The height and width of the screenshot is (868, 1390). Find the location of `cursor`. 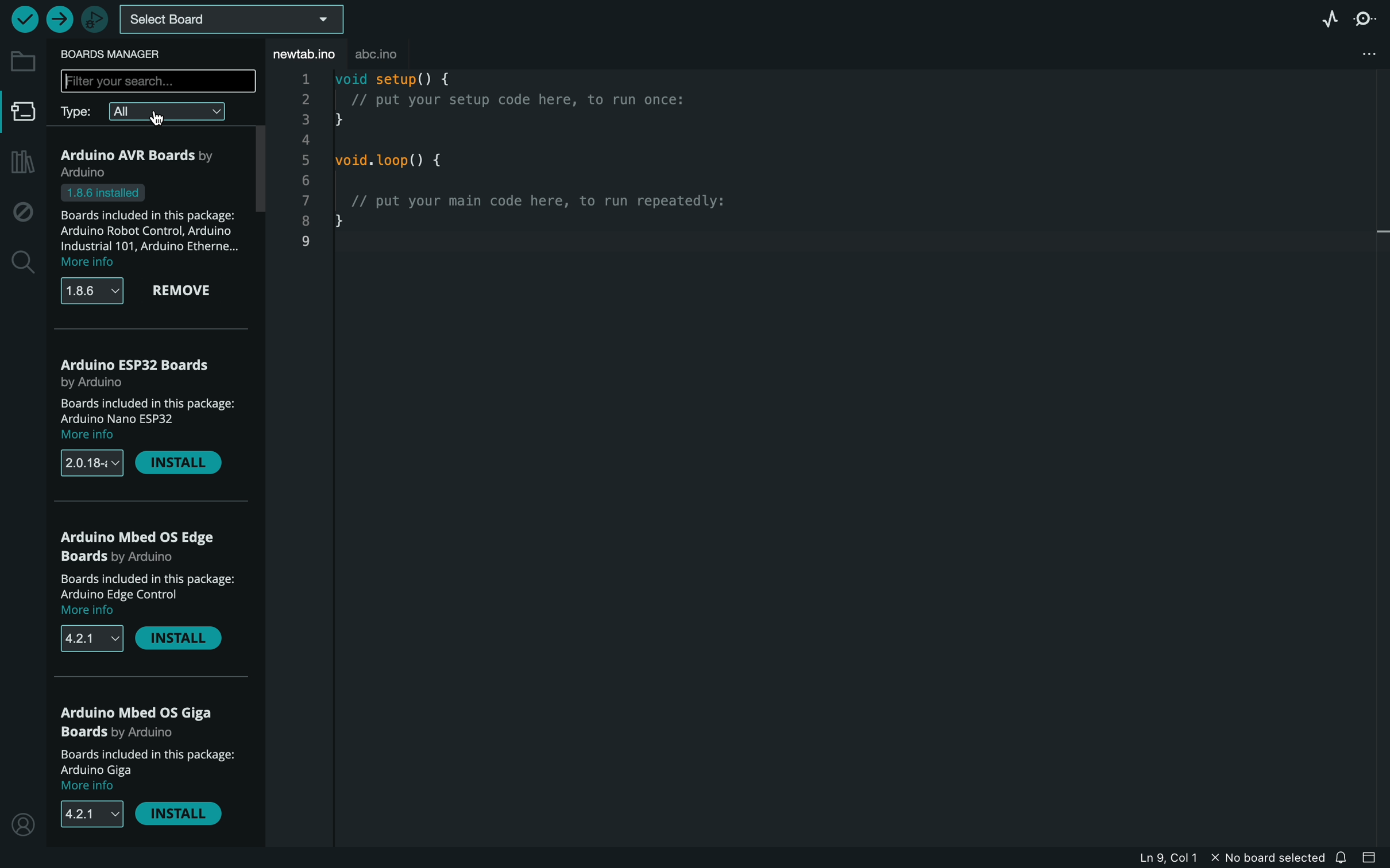

cursor is located at coordinates (158, 118).